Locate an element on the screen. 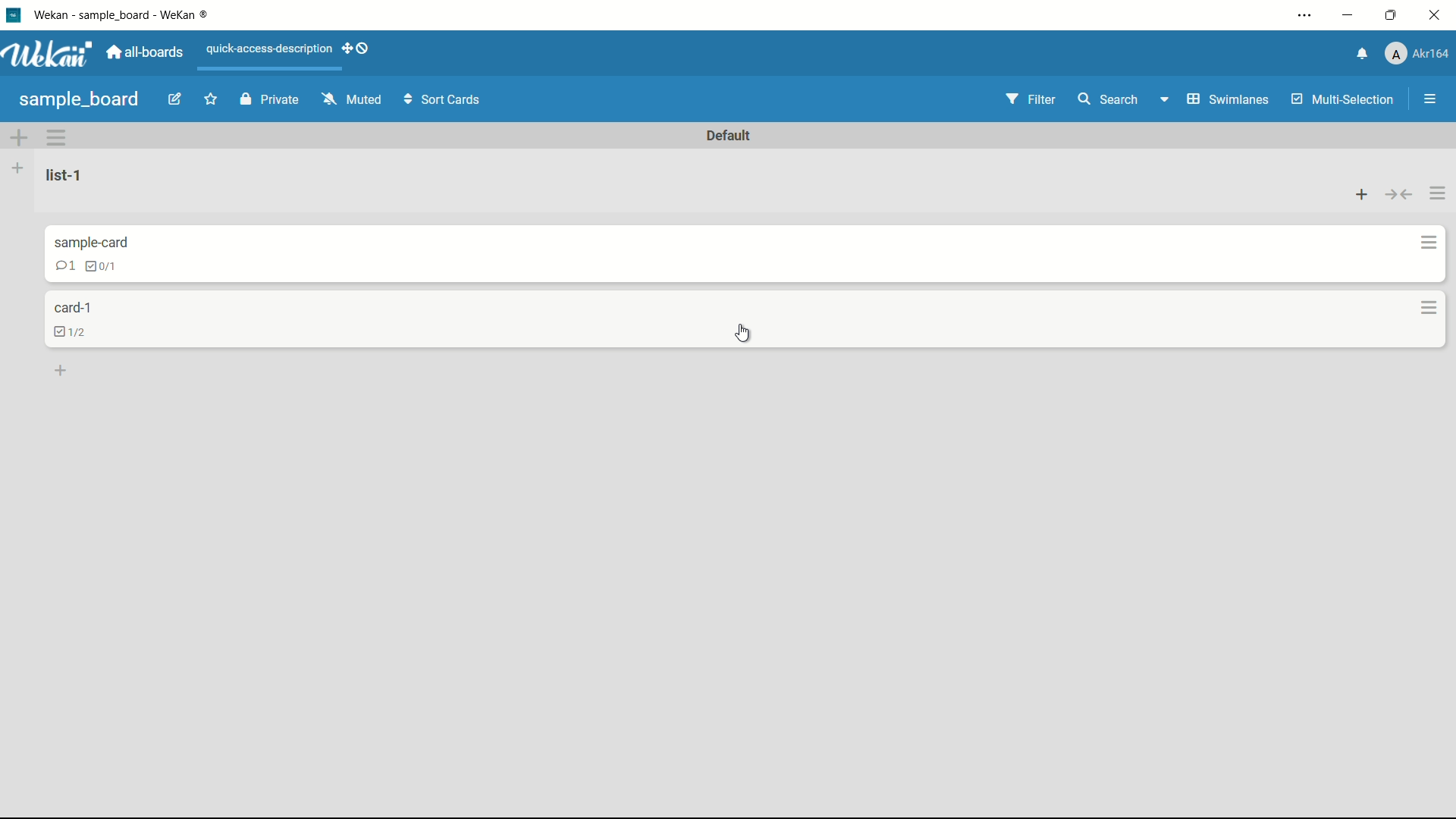  restore is located at coordinates (1392, 16).